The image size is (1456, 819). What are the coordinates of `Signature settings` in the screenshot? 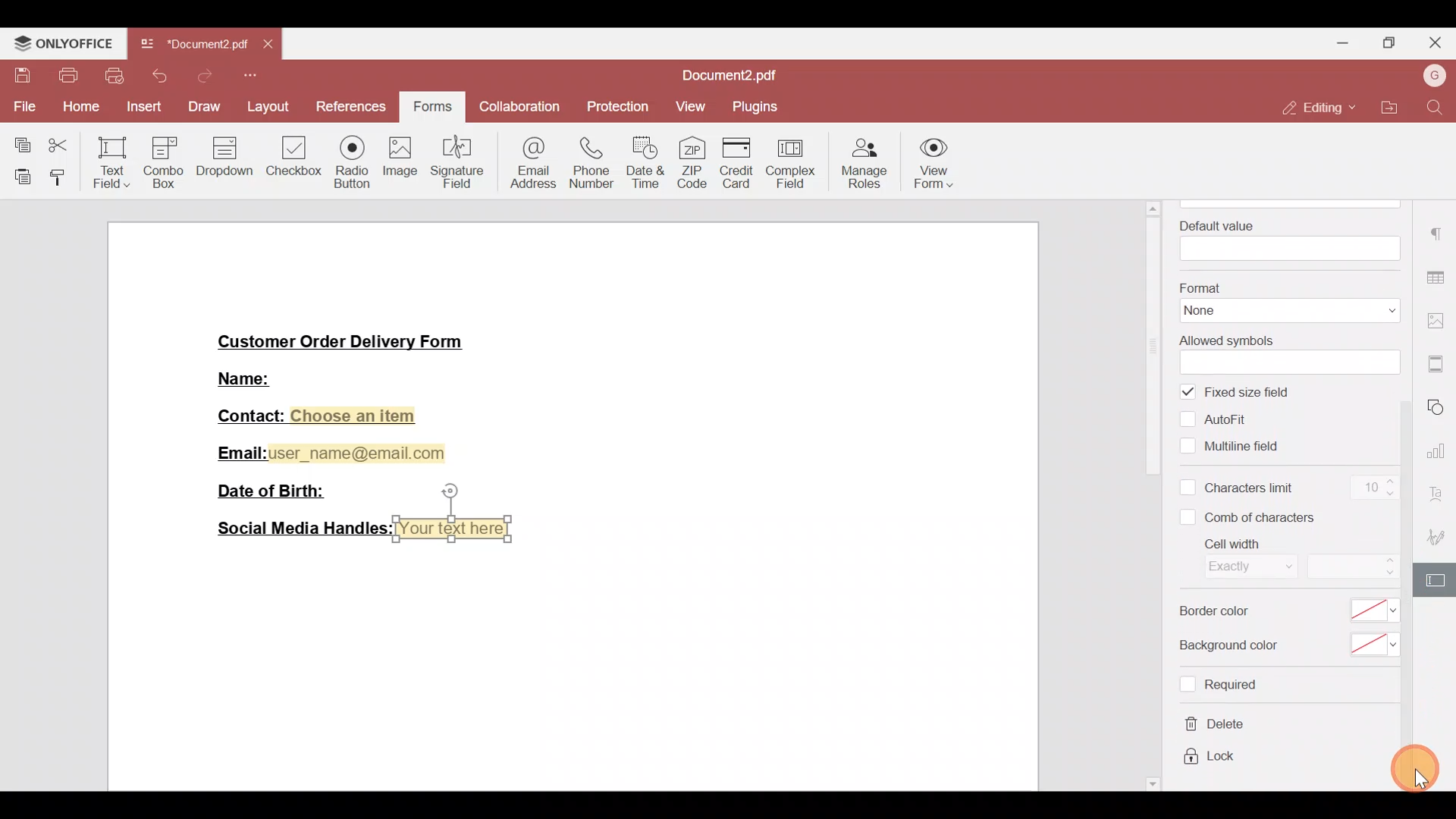 It's located at (1441, 536).